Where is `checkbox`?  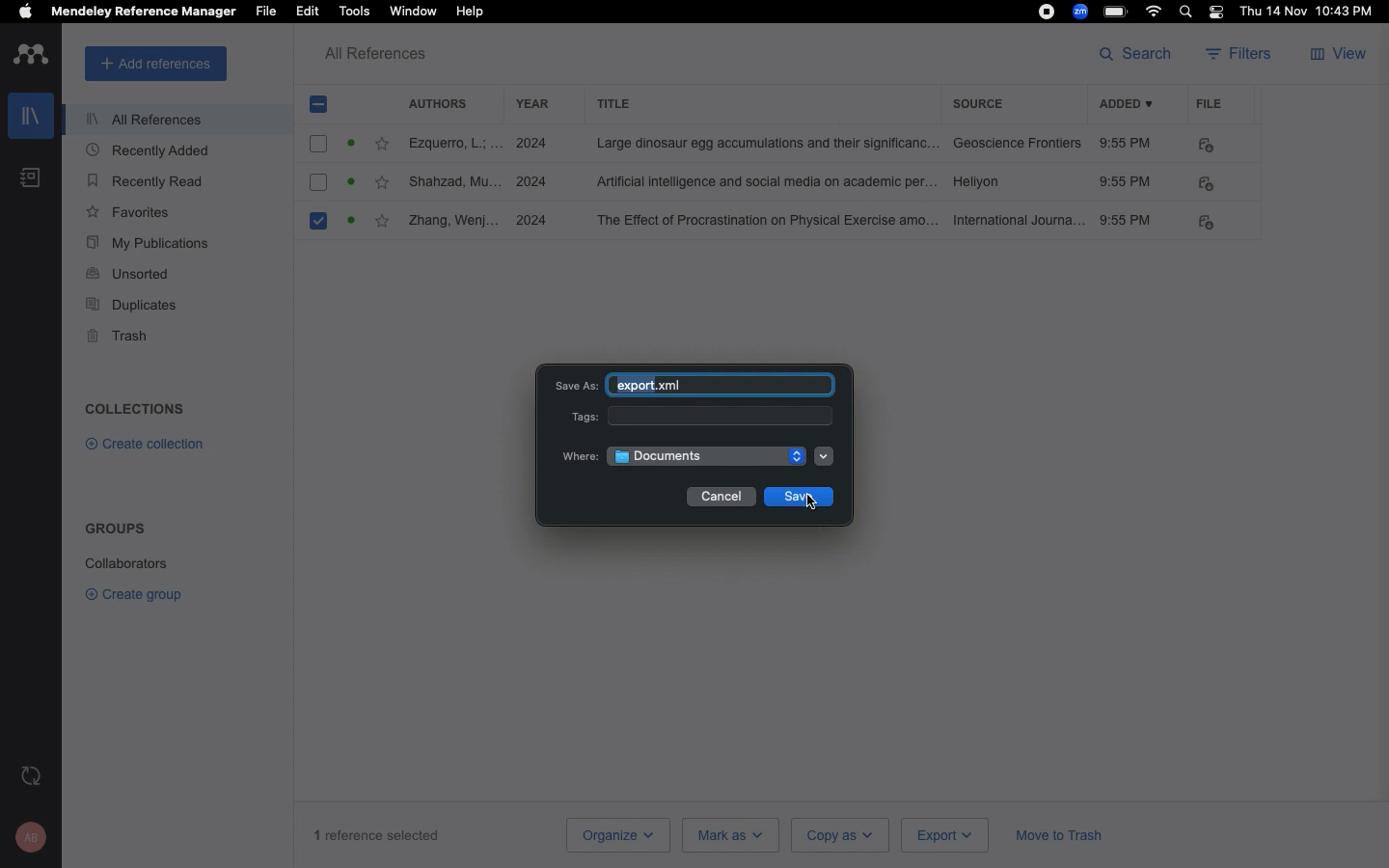 checkbox is located at coordinates (319, 144).